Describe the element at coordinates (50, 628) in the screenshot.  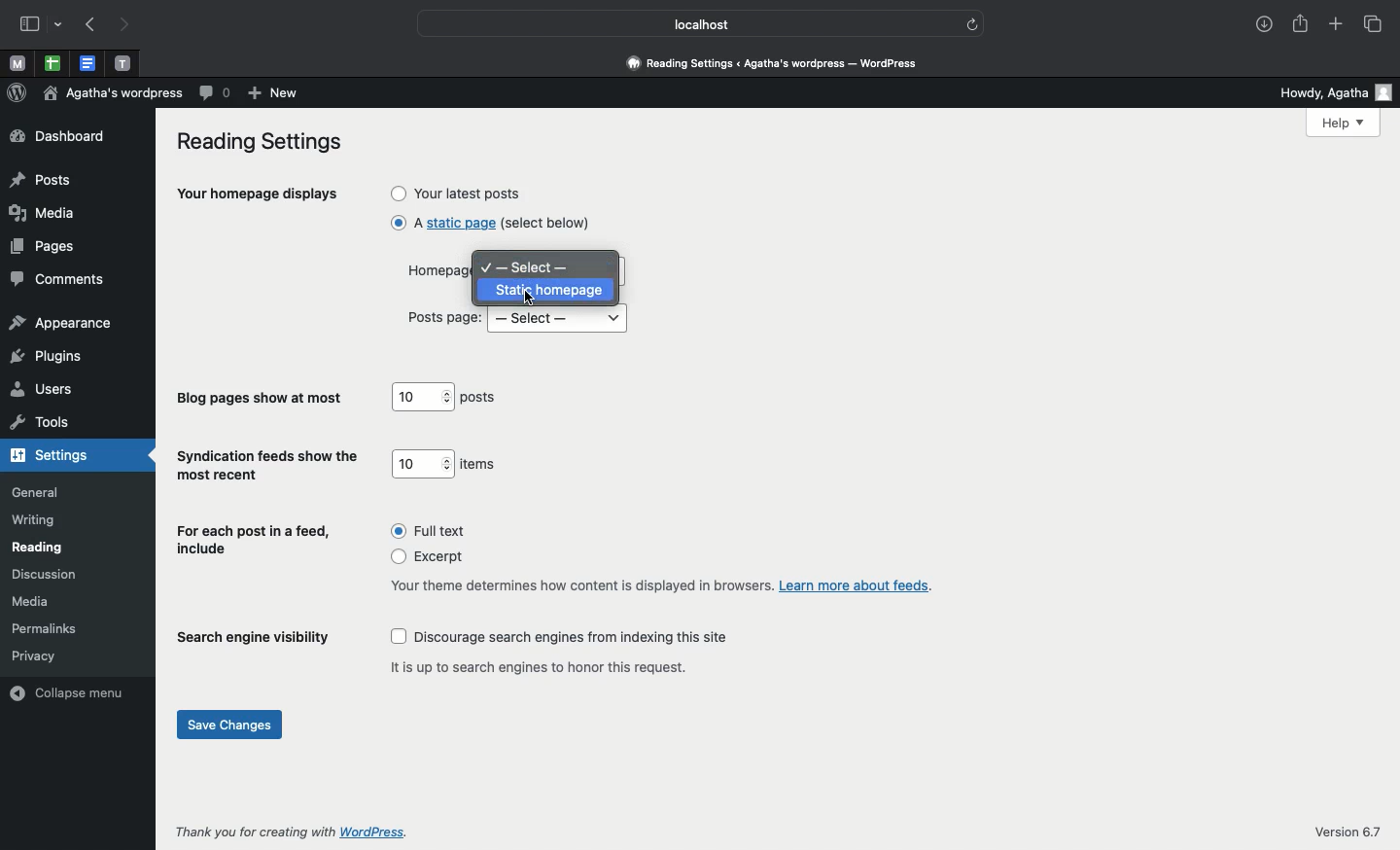
I see `permalinks` at that location.